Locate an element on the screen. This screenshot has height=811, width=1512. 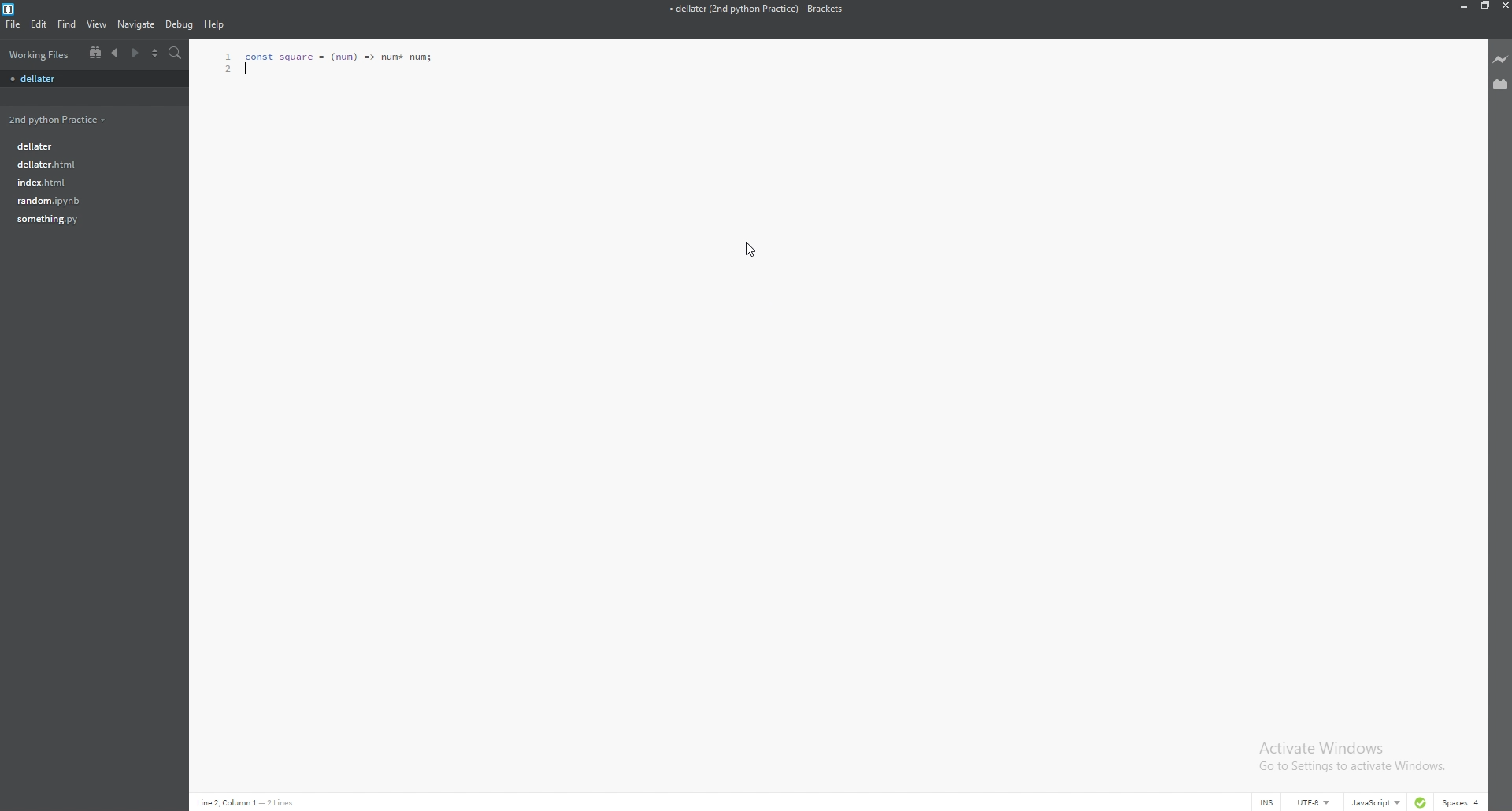
file name is located at coordinates (756, 9).